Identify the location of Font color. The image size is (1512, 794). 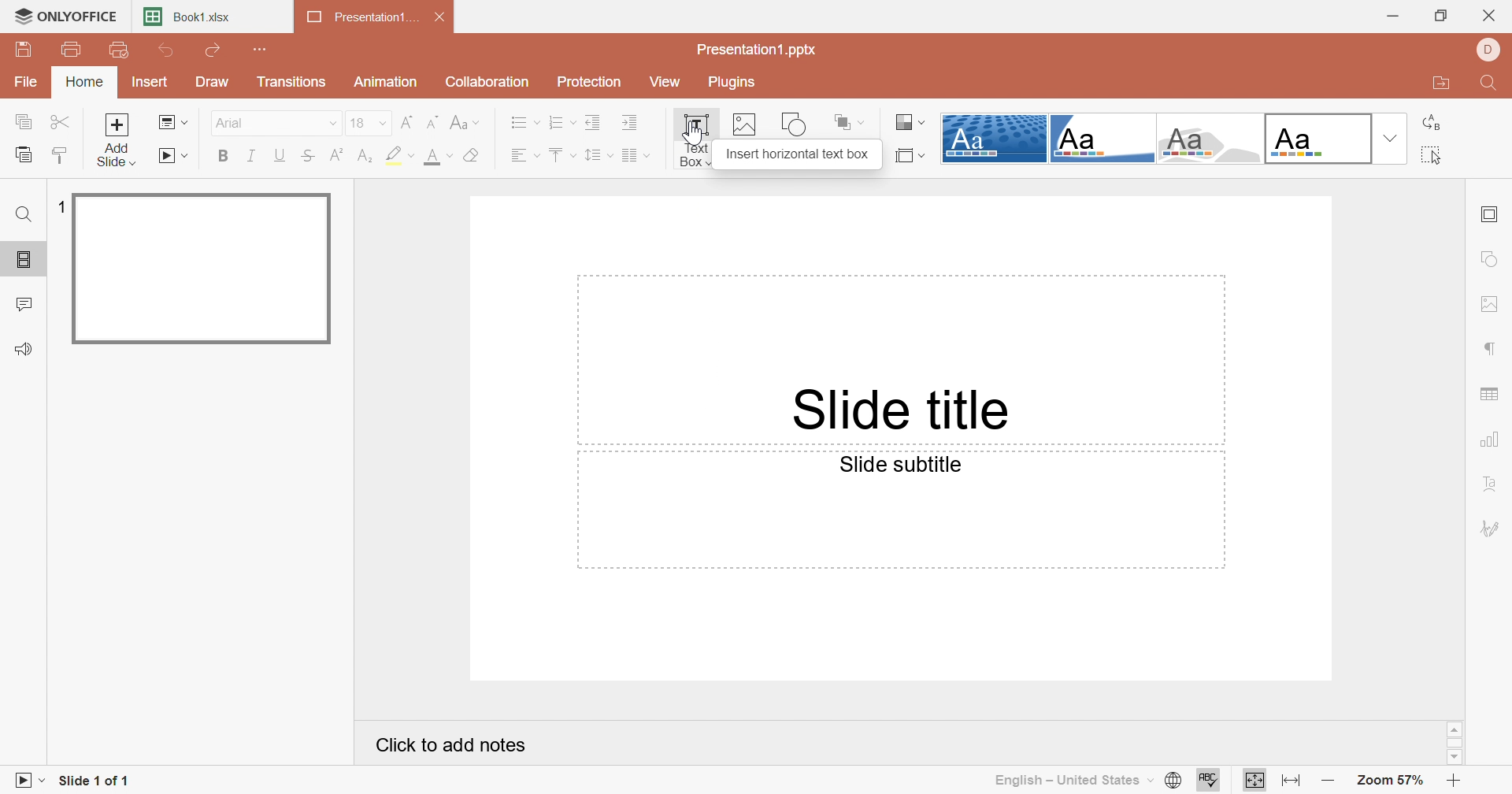
(439, 158).